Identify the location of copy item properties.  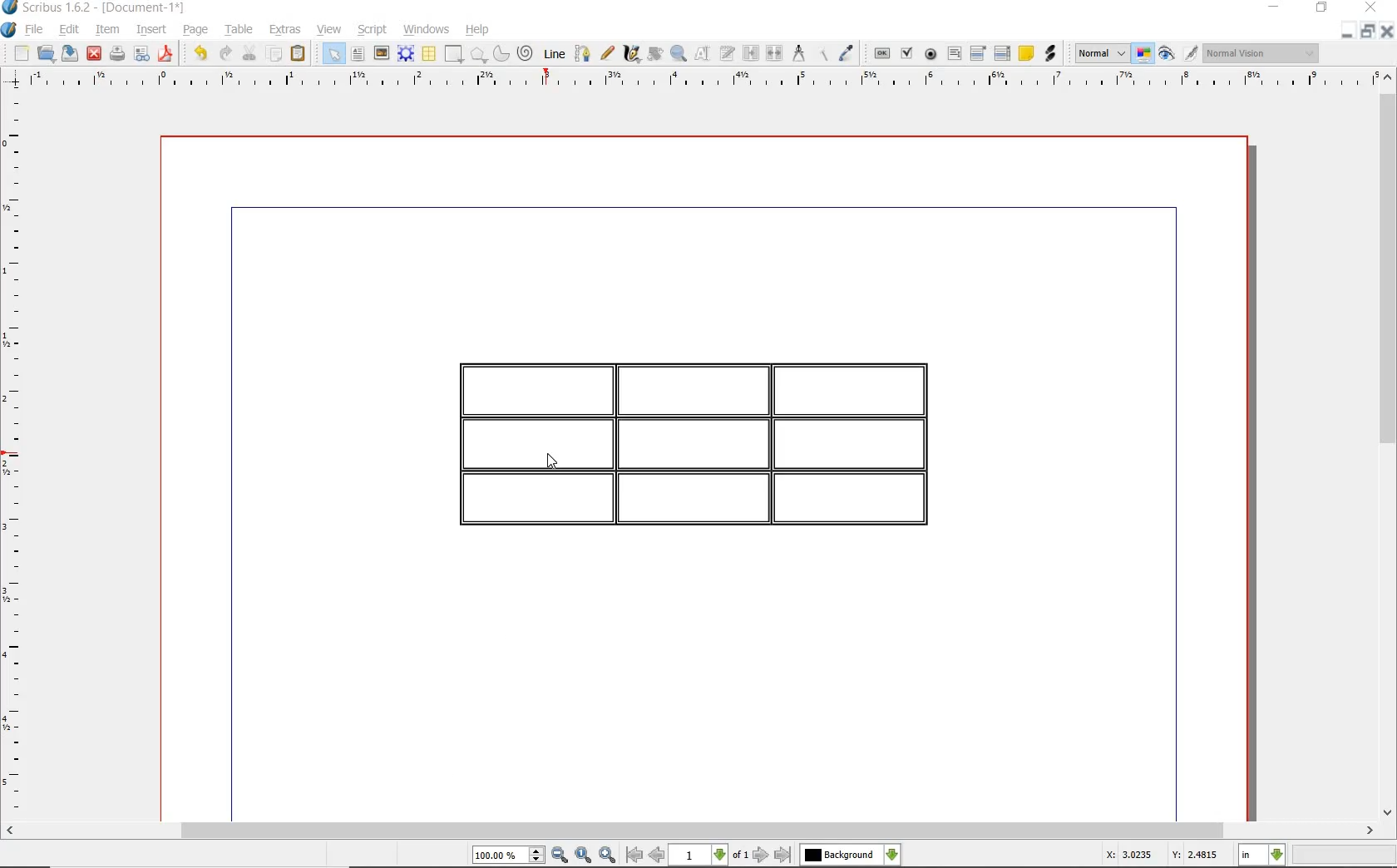
(827, 53).